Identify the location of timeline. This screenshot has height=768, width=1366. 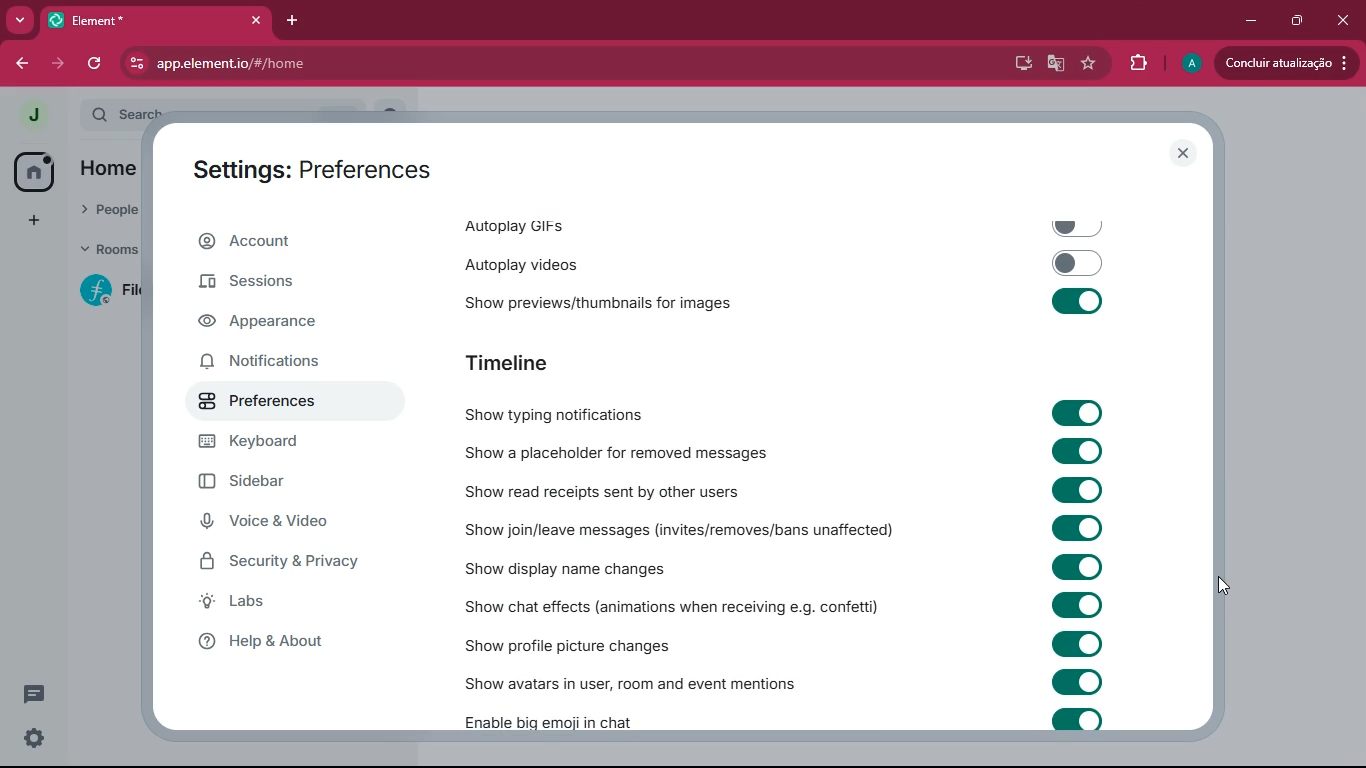
(582, 364).